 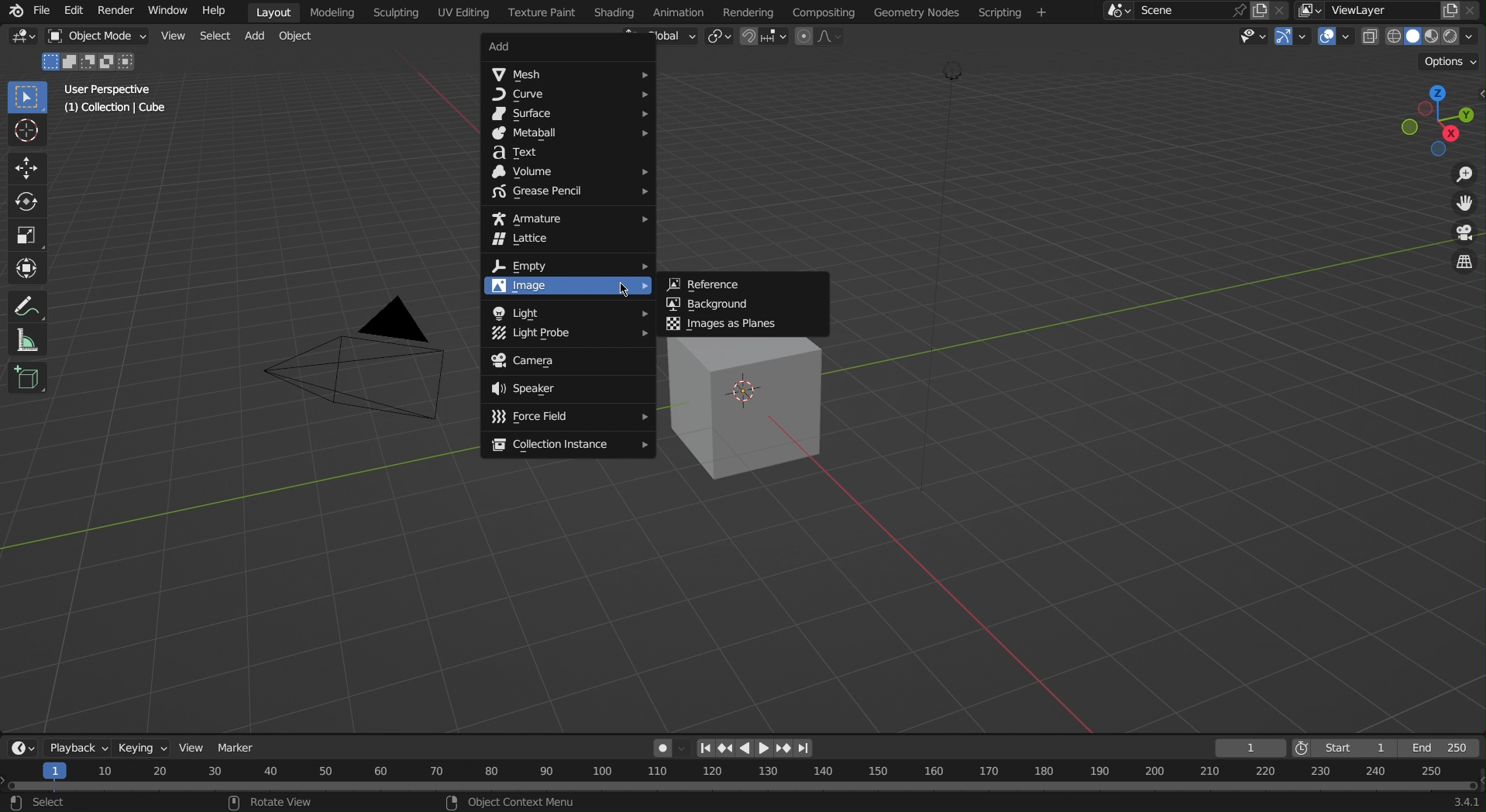 What do you see at coordinates (571, 359) in the screenshot?
I see `Camera` at bounding box center [571, 359].